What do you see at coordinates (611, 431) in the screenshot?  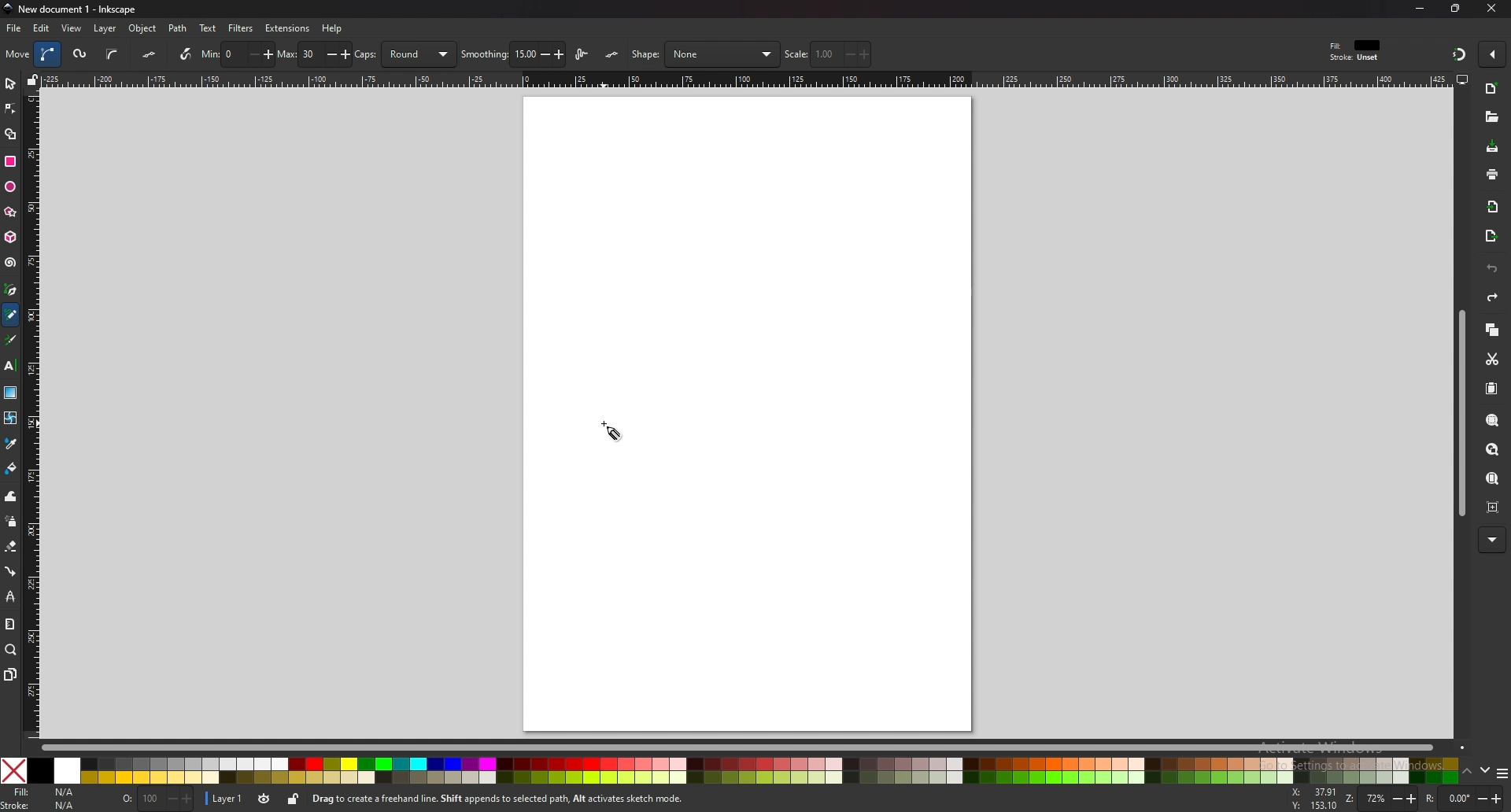 I see `cursor` at bounding box center [611, 431].